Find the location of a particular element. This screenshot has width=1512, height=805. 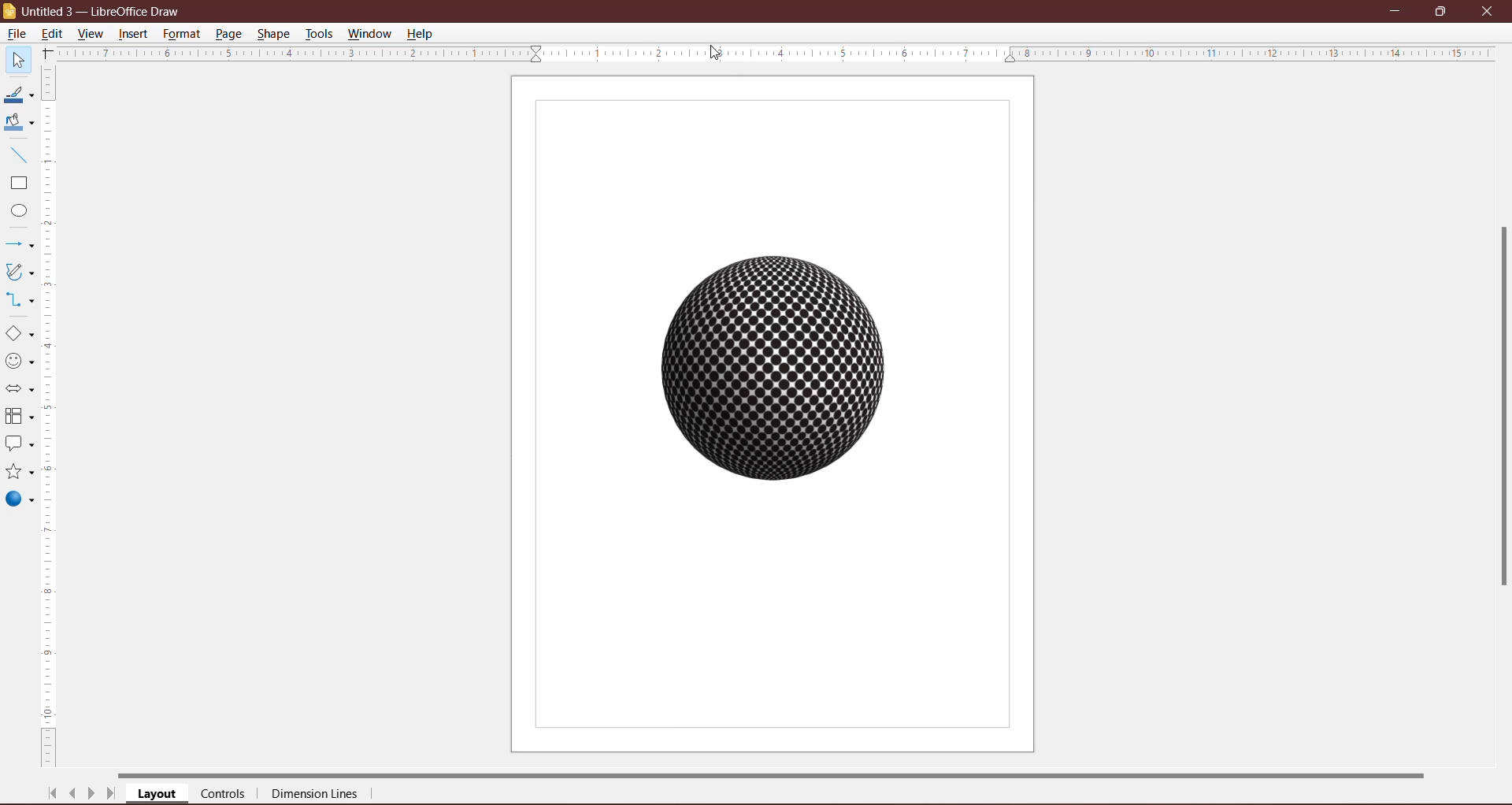

Horizontal Scroll Bar is located at coordinates (788, 773).